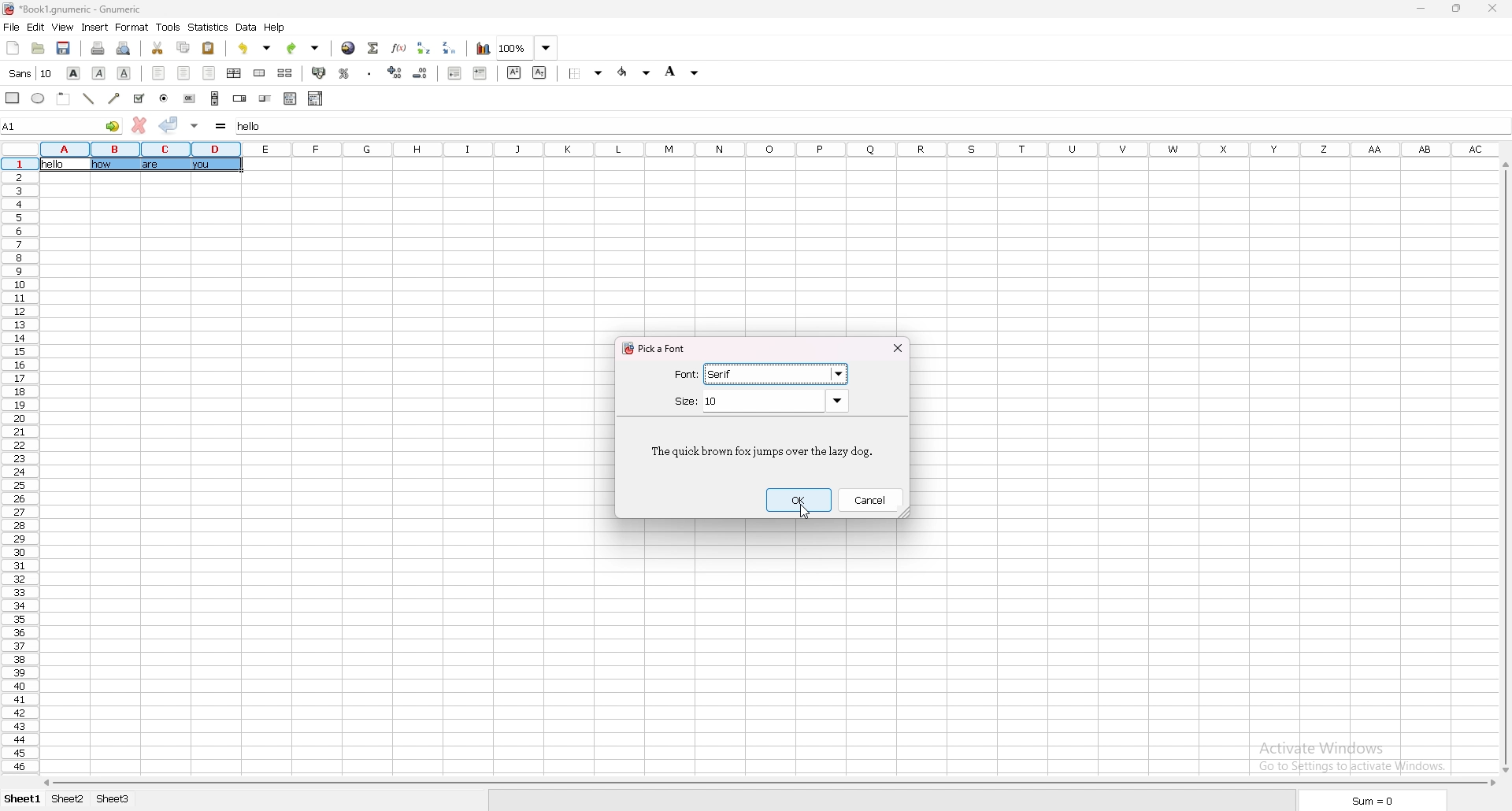  What do you see at coordinates (115, 798) in the screenshot?
I see `sheet` at bounding box center [115, 798].